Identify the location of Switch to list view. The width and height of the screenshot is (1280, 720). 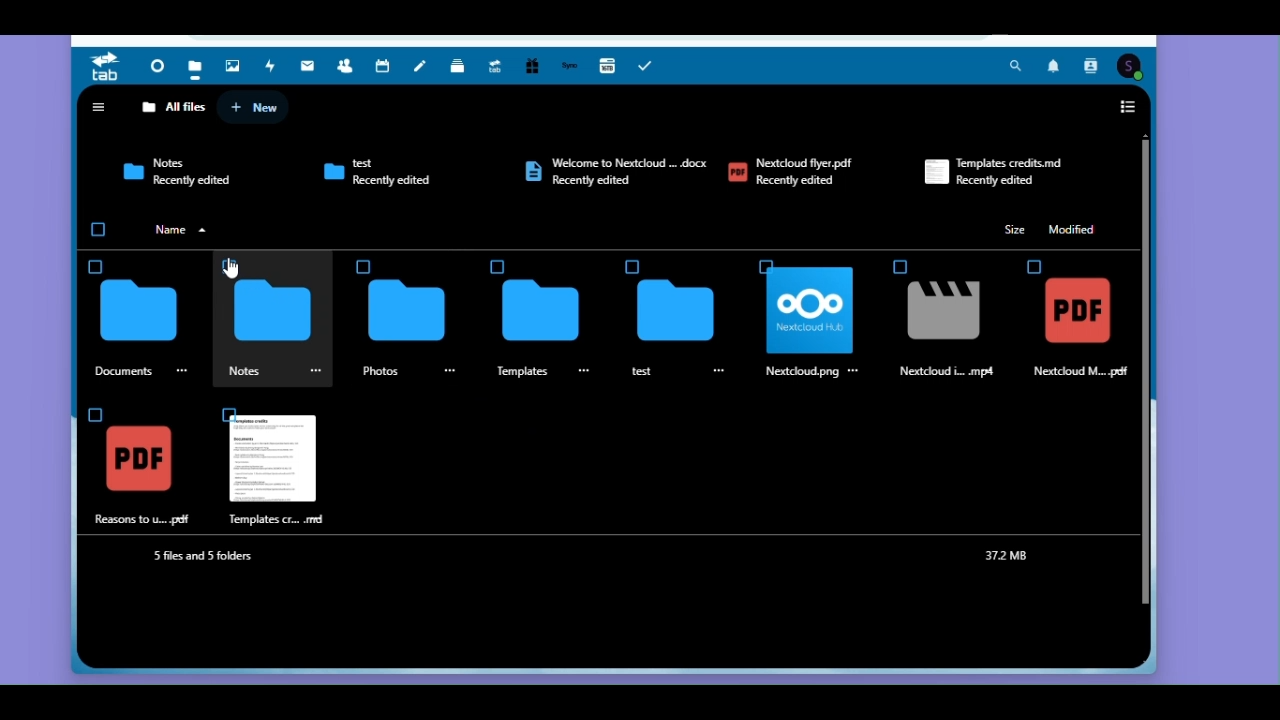
(1128, 110).